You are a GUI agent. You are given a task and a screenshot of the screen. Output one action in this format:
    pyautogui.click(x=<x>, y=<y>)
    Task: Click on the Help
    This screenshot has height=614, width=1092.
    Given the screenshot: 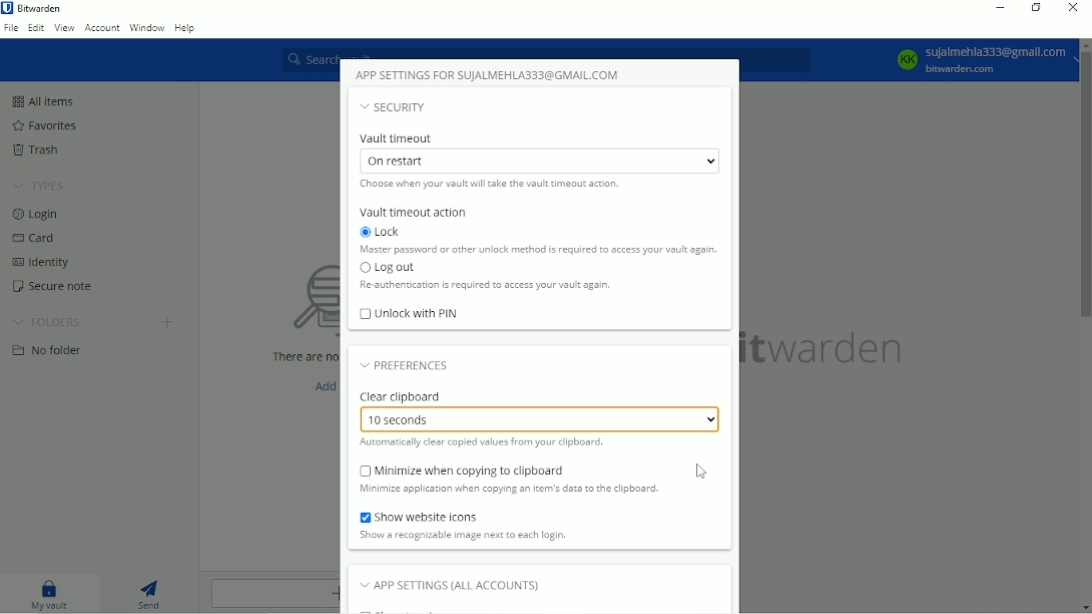 What is the action you would take?
    pyautogui.click(x=186, y=27)
    